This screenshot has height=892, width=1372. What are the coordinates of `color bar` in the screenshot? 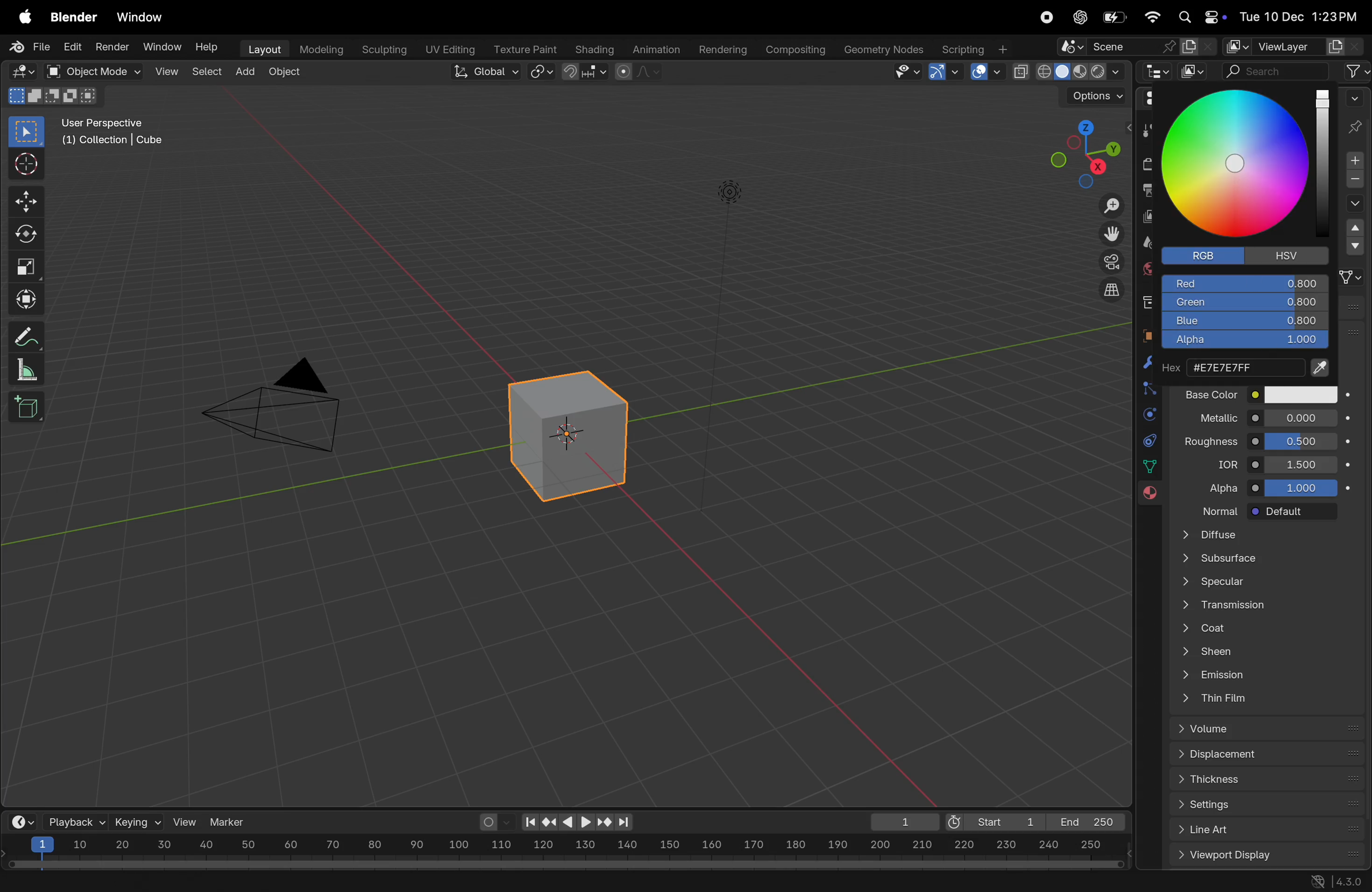 It's located at (1324, 158).